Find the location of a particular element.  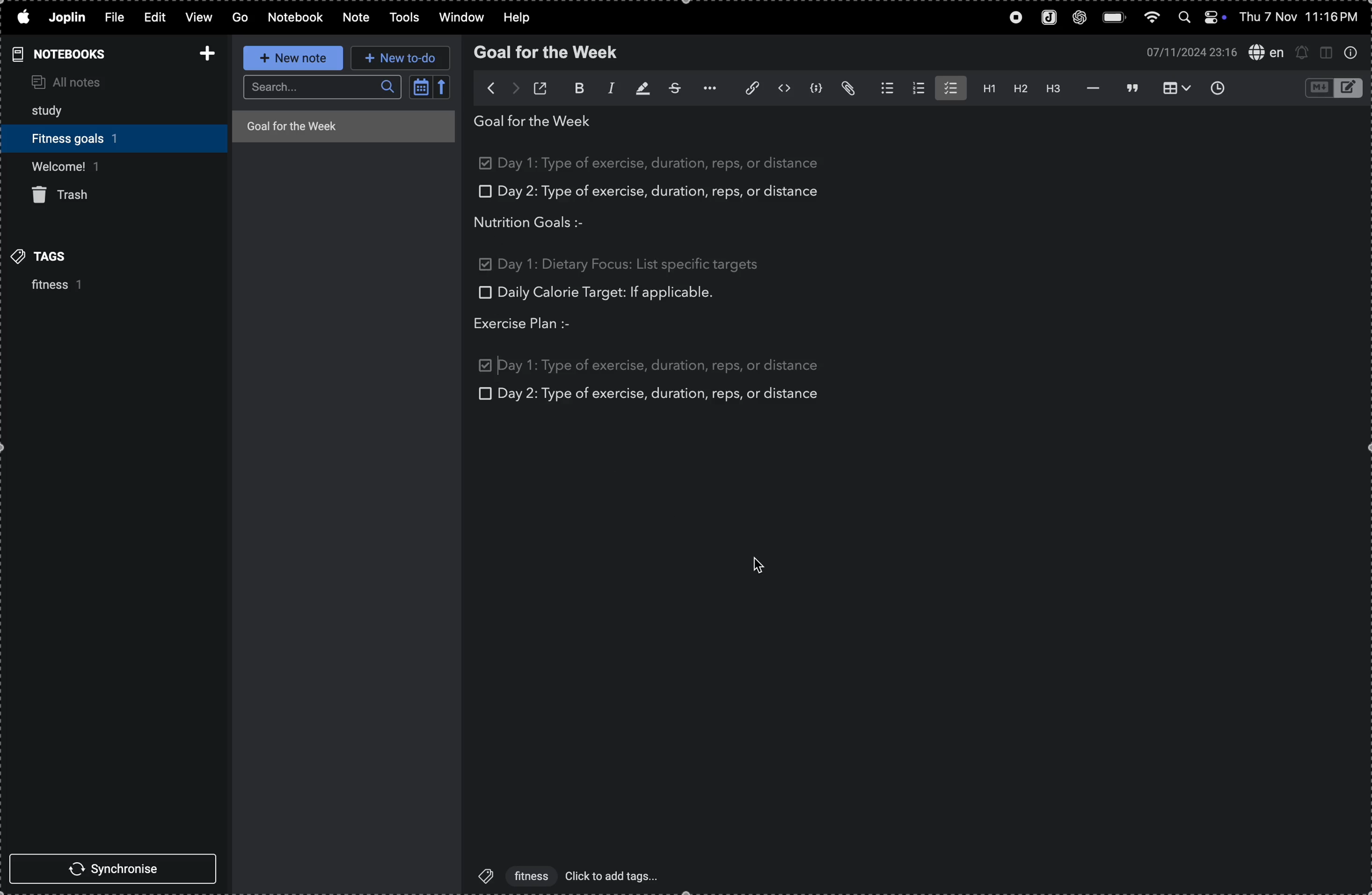

new to do is located at coordinates (400, 59).